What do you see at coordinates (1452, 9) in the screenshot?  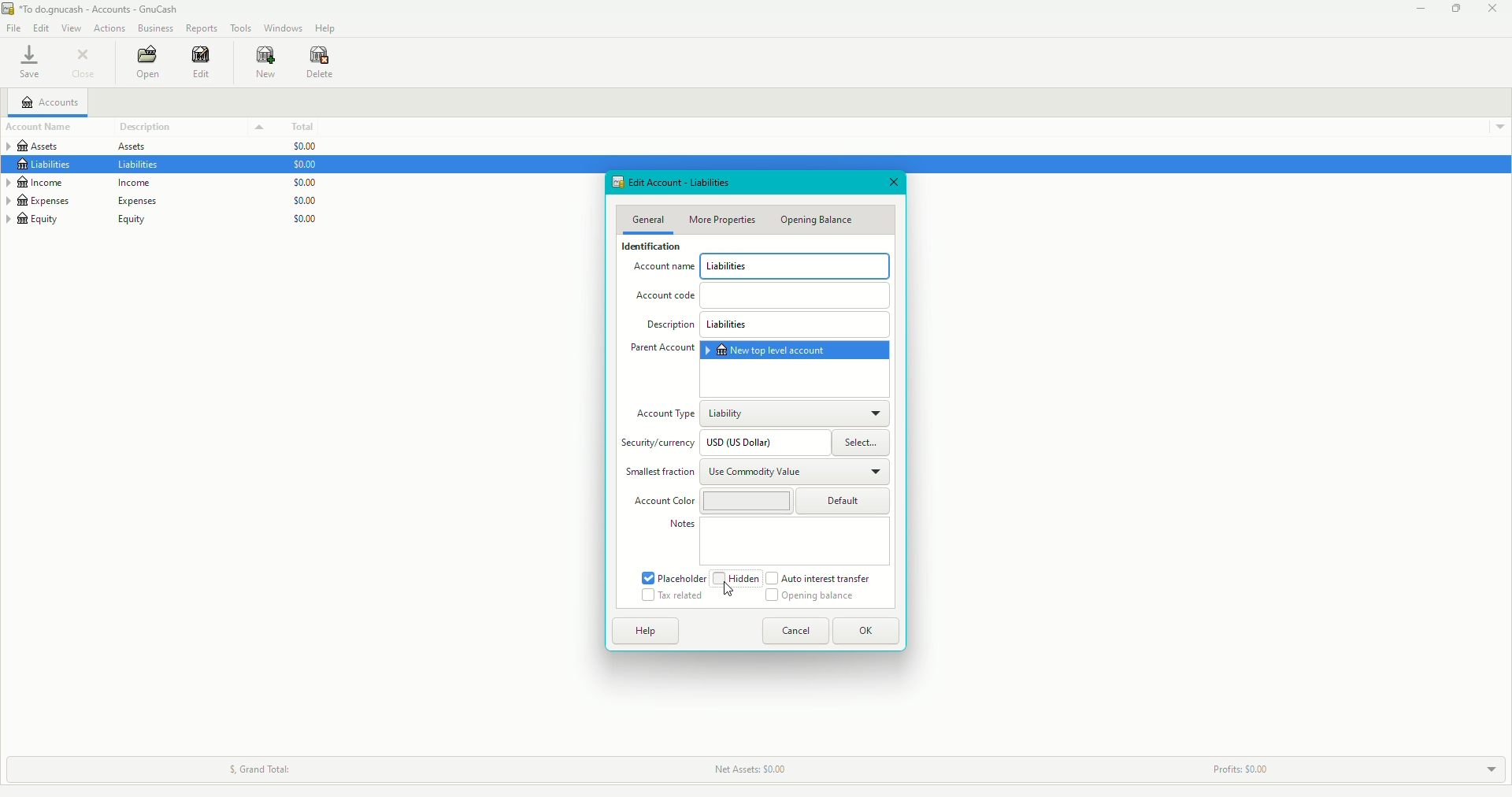 I see `Restore` at bounding box center [1452, 9].